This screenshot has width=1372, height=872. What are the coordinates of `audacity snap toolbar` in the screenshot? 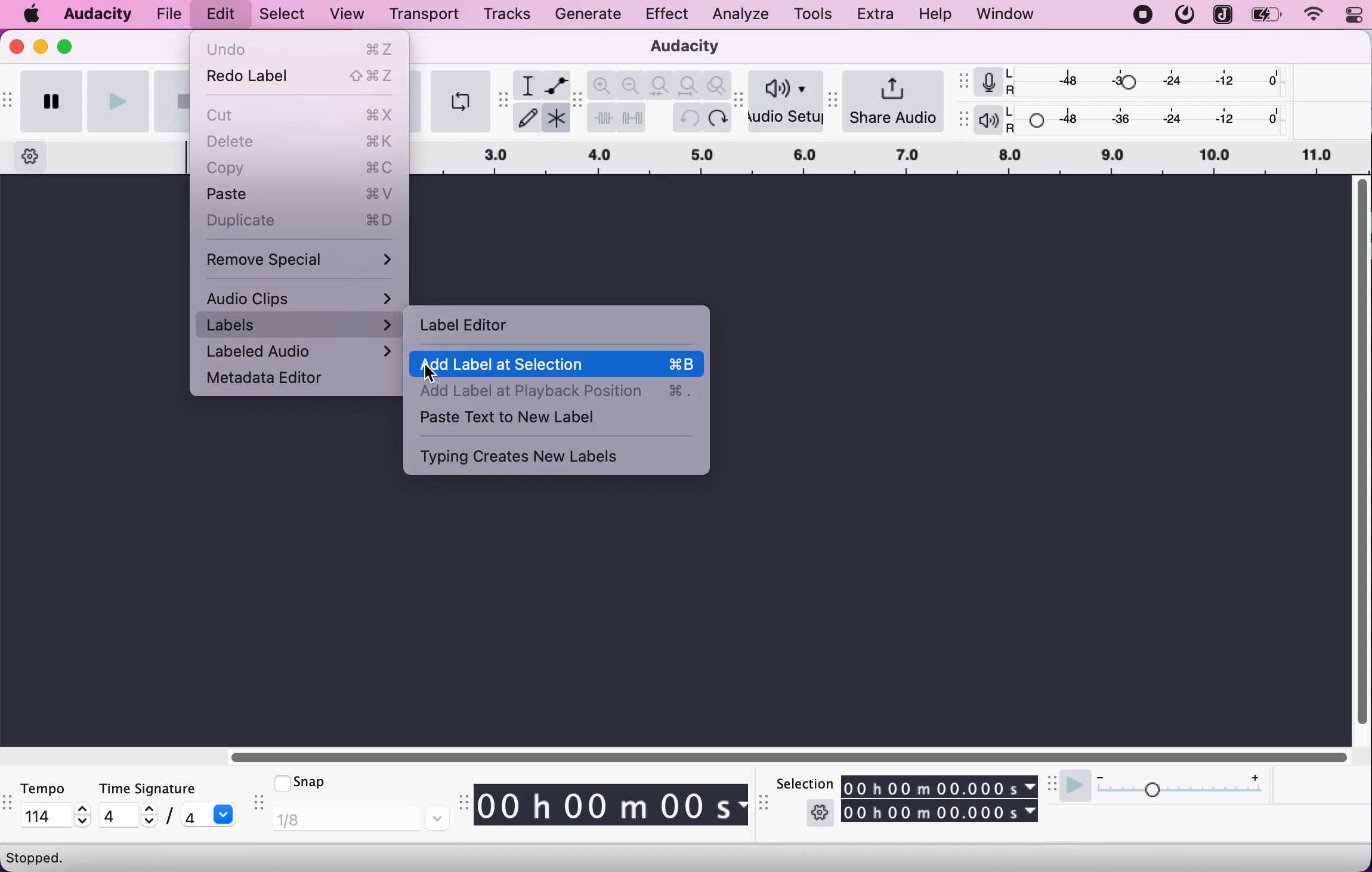 It's located at (257, 804).